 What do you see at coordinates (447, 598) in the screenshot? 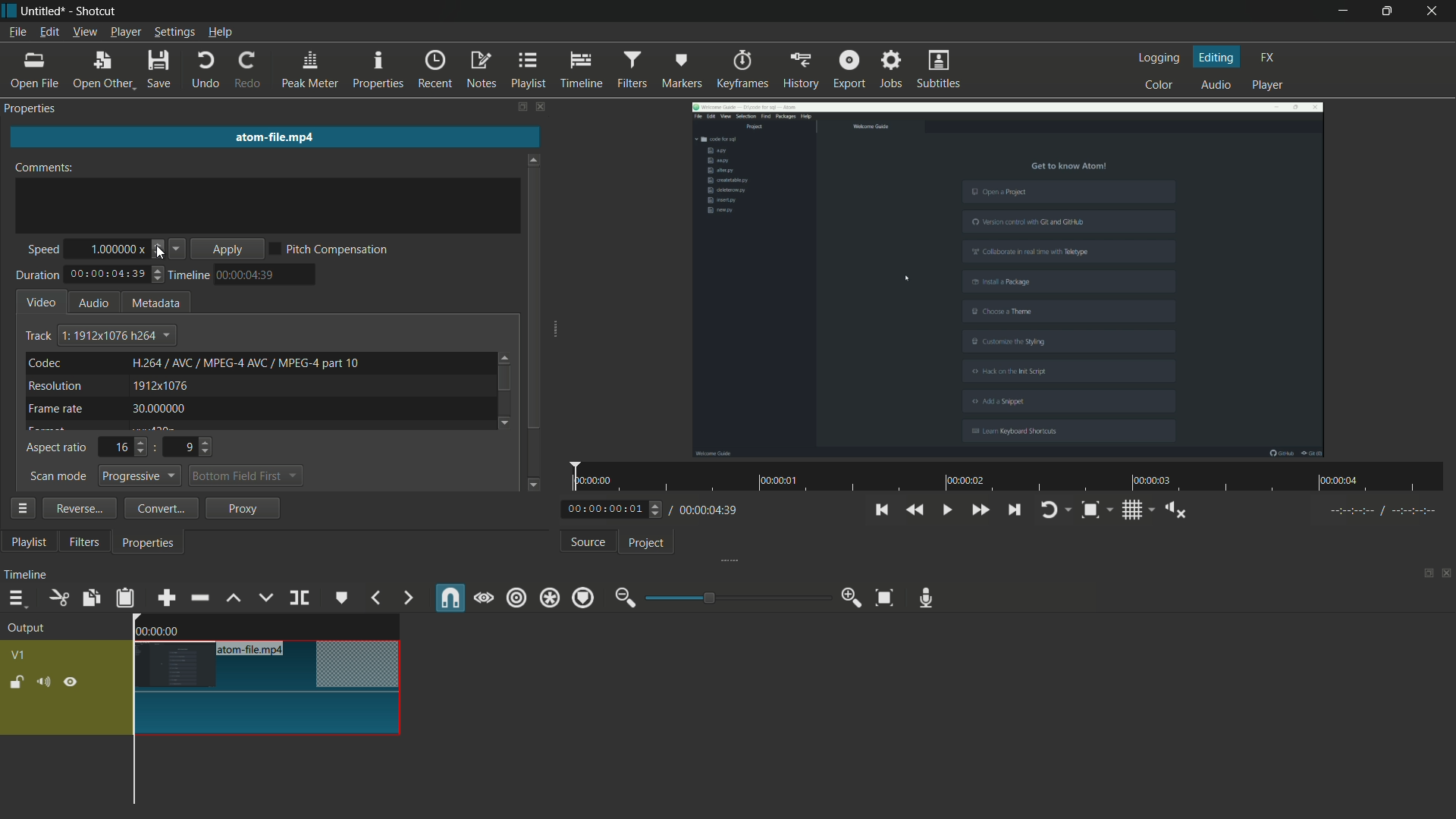
I see `snap` at bounding box center [447, 598].